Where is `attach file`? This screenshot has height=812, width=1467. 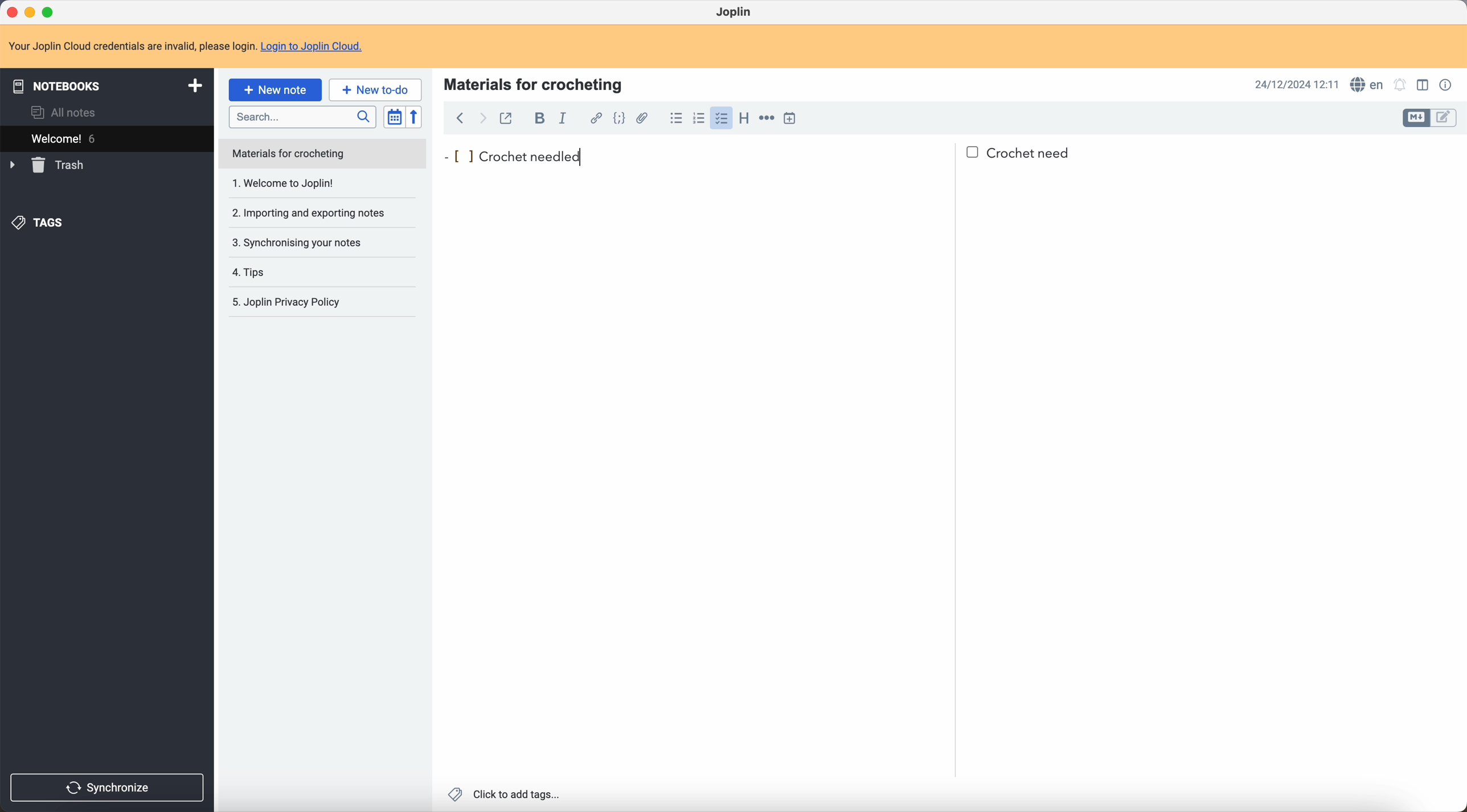 attach file is located at coordinates (645, 118).